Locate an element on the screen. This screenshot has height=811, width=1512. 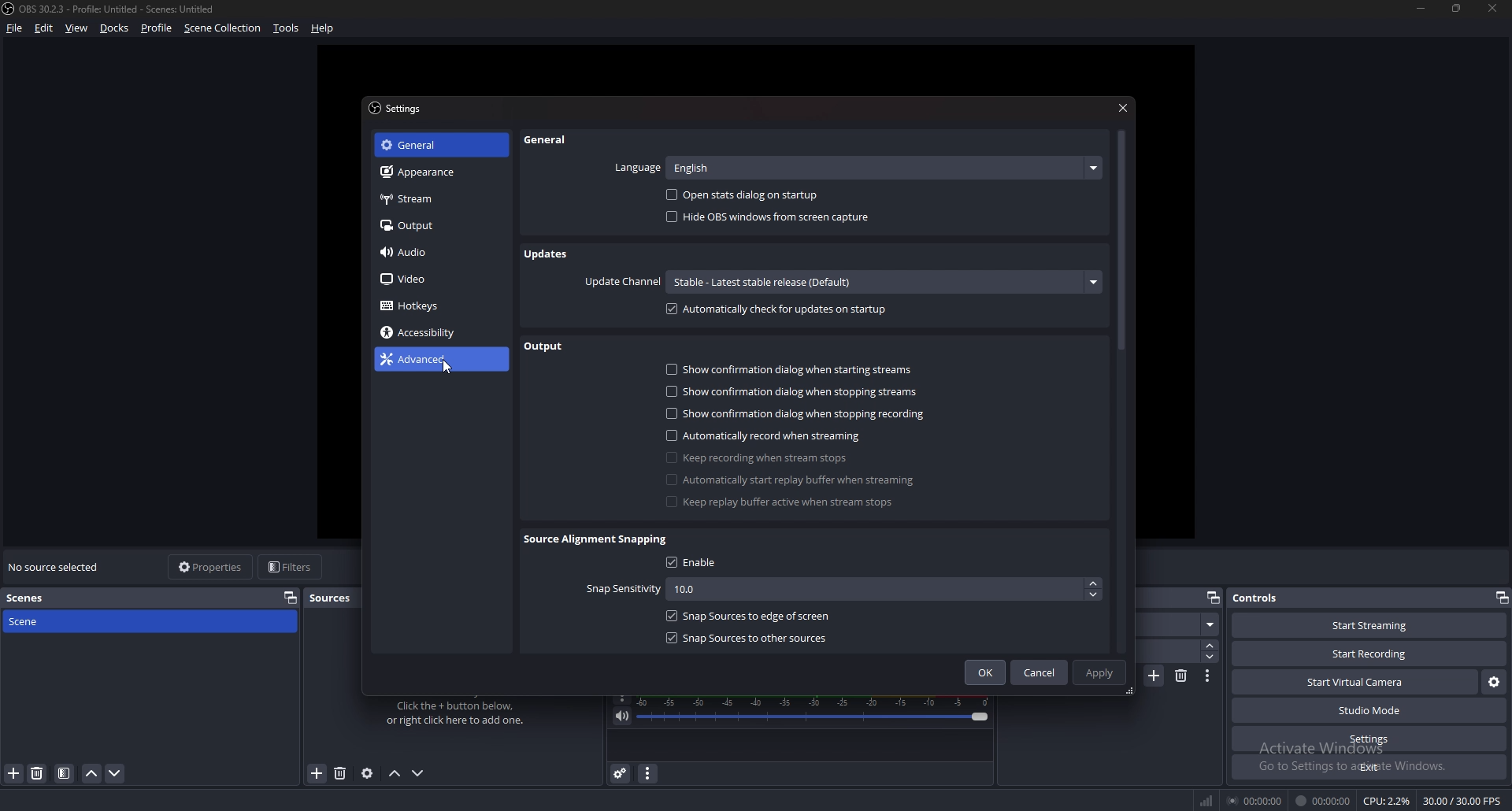
settings is located at coordinates (400, 109).